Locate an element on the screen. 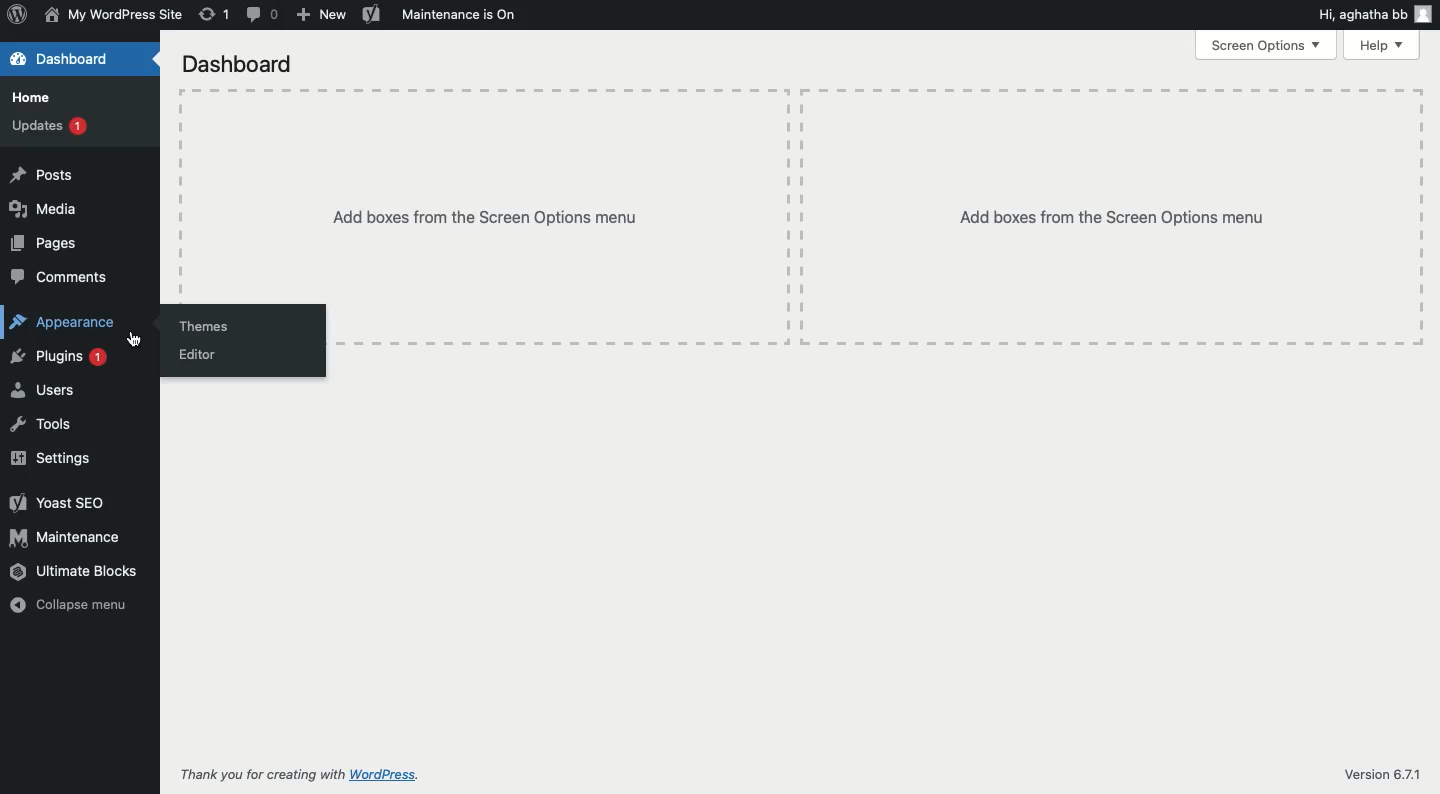 The image size is (1440, 794). Collapse menu is located at coordinates (67, 605).